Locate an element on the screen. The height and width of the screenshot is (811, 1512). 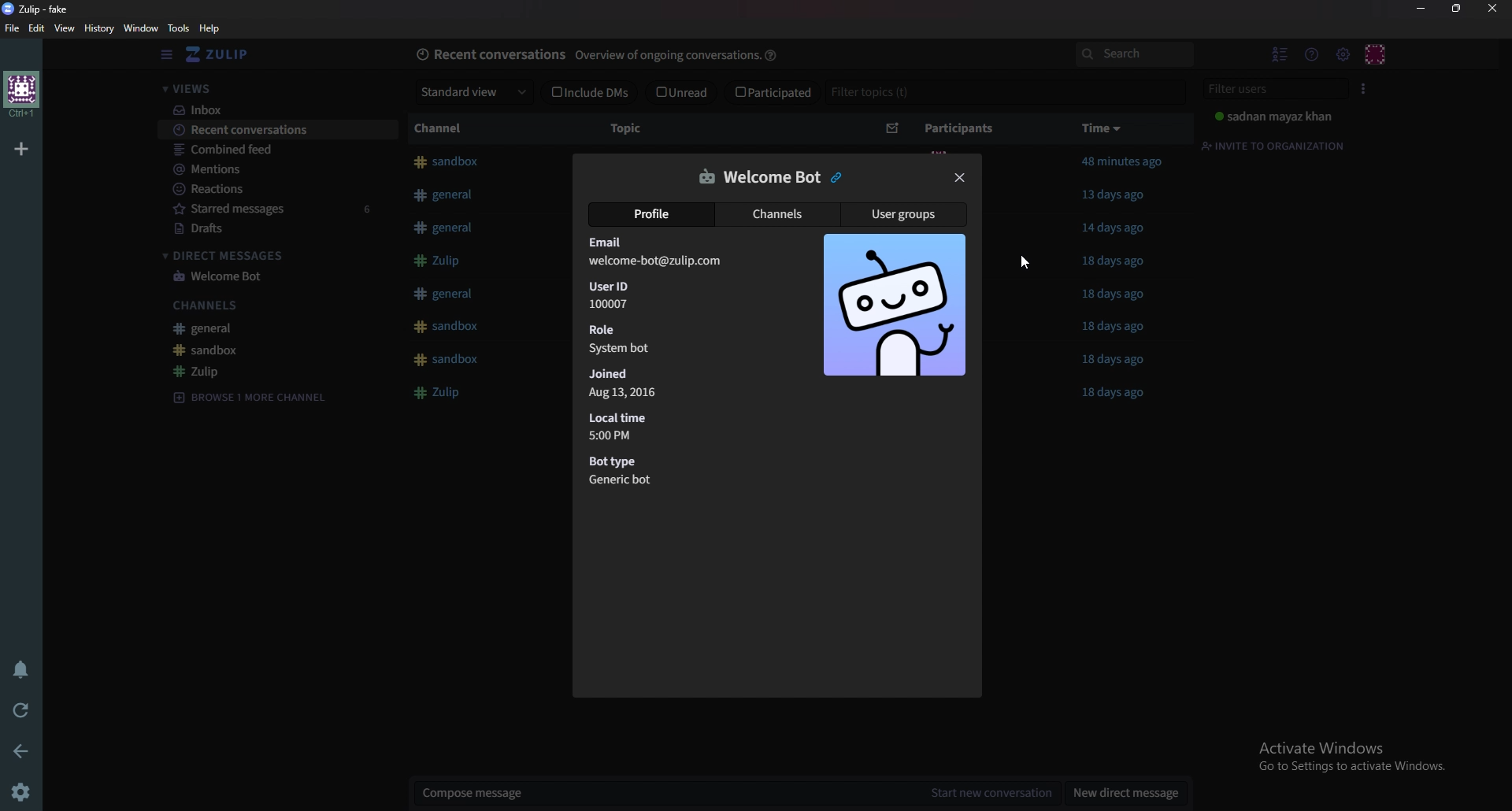
Participants is located at coordinates (962, 128).